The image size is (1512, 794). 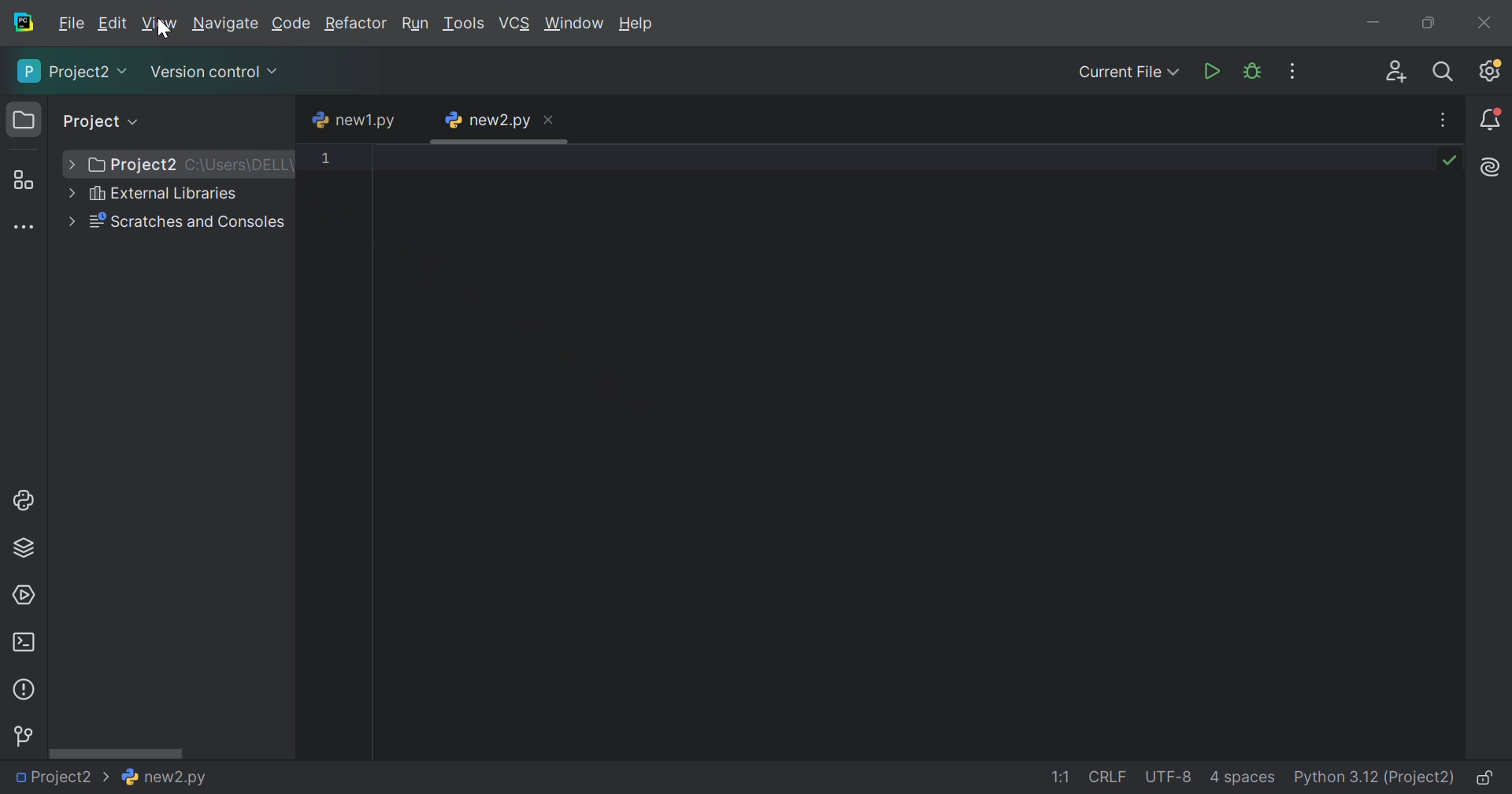 What do you see at coordinates (73, 73) in the screenshot?
I see `Project` at bounding box center [73, 73].